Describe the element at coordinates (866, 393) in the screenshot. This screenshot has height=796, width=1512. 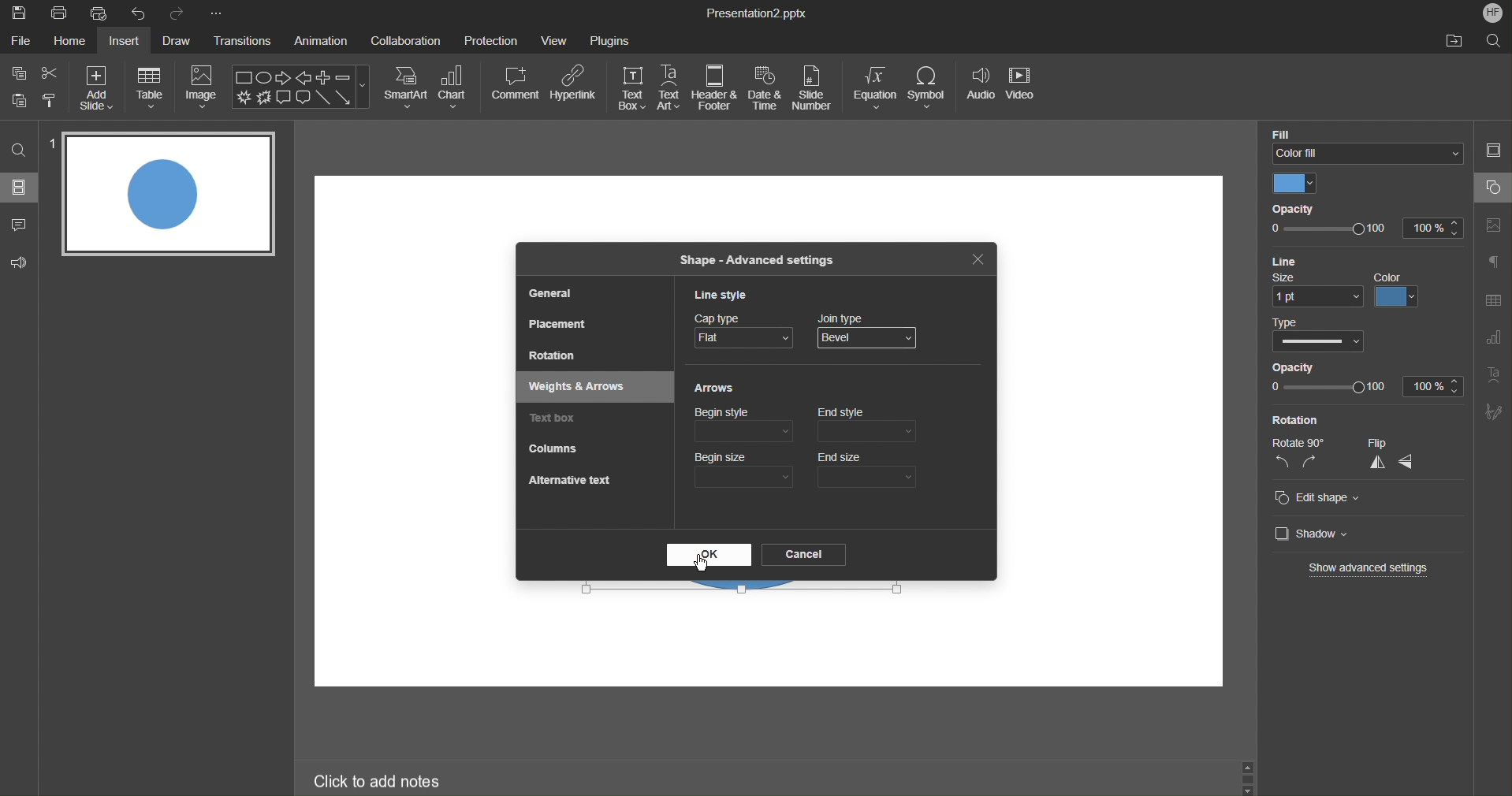
I see `Bevel` at that location.